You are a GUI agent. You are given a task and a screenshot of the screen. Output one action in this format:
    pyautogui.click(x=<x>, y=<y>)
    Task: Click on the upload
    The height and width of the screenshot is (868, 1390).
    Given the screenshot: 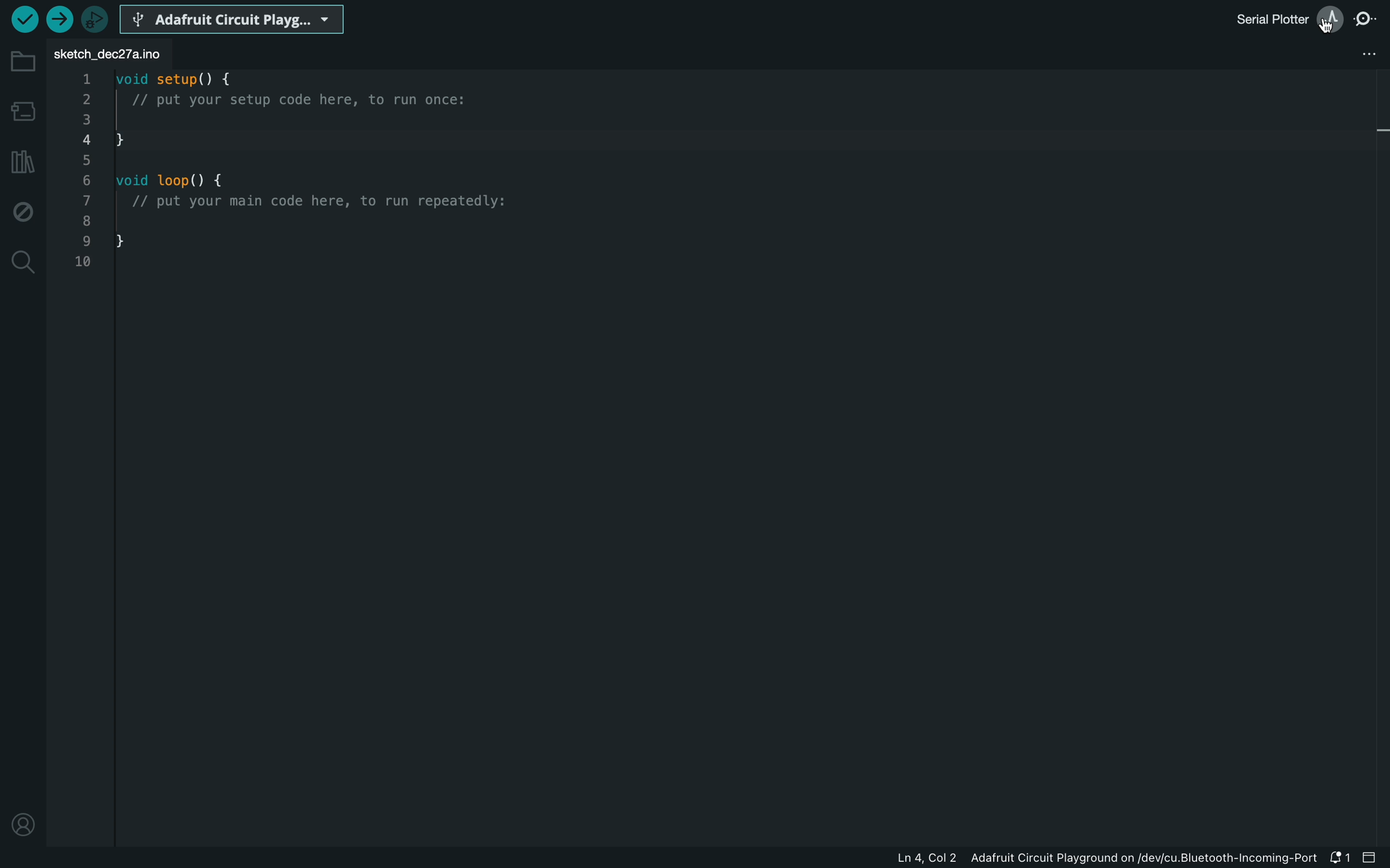 What is the action you would take?
    pyautogui.click(x=59, y=19)
    